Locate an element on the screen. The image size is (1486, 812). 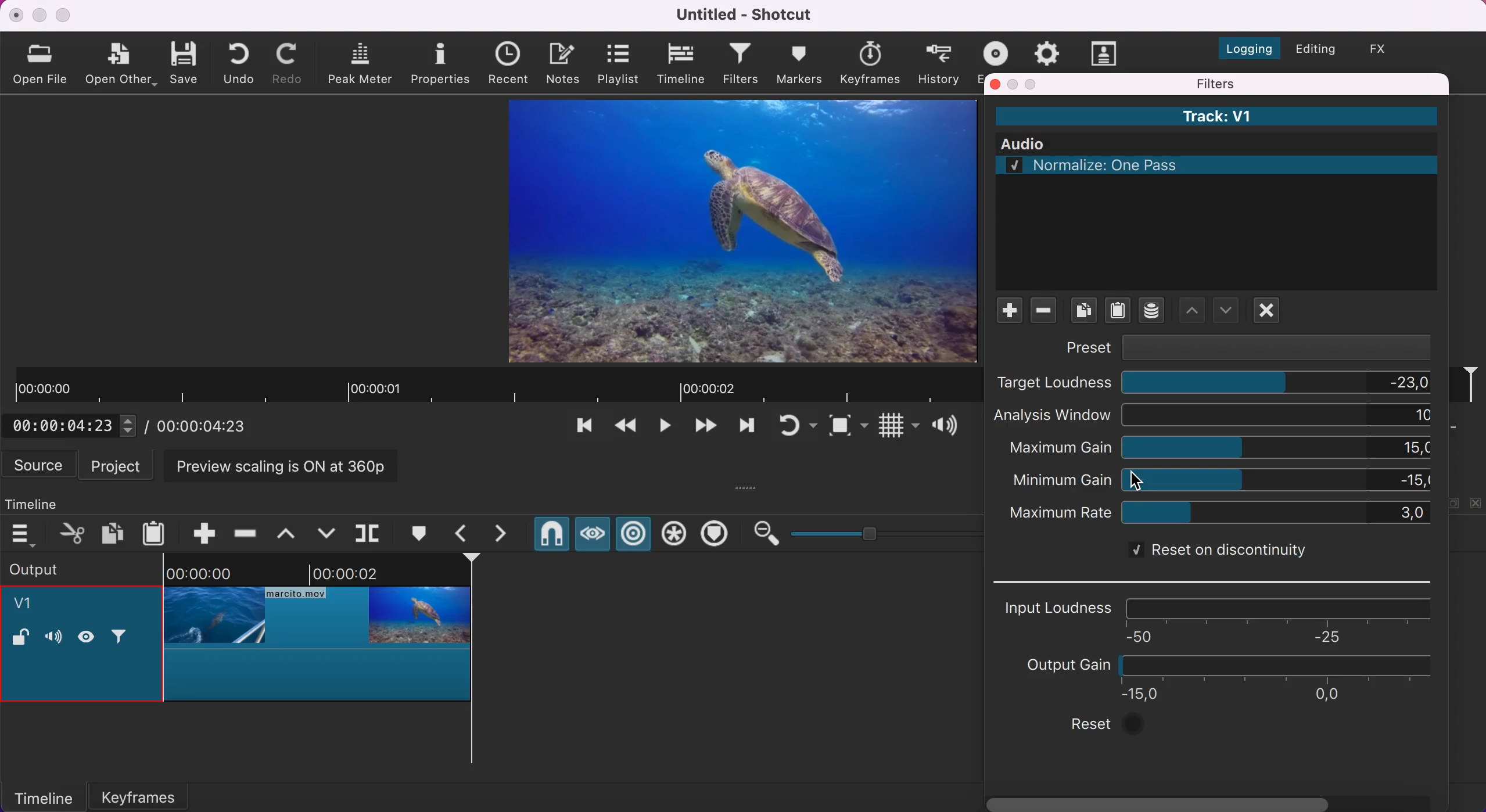
toggle play or pause is located at coordinates (665, 429).